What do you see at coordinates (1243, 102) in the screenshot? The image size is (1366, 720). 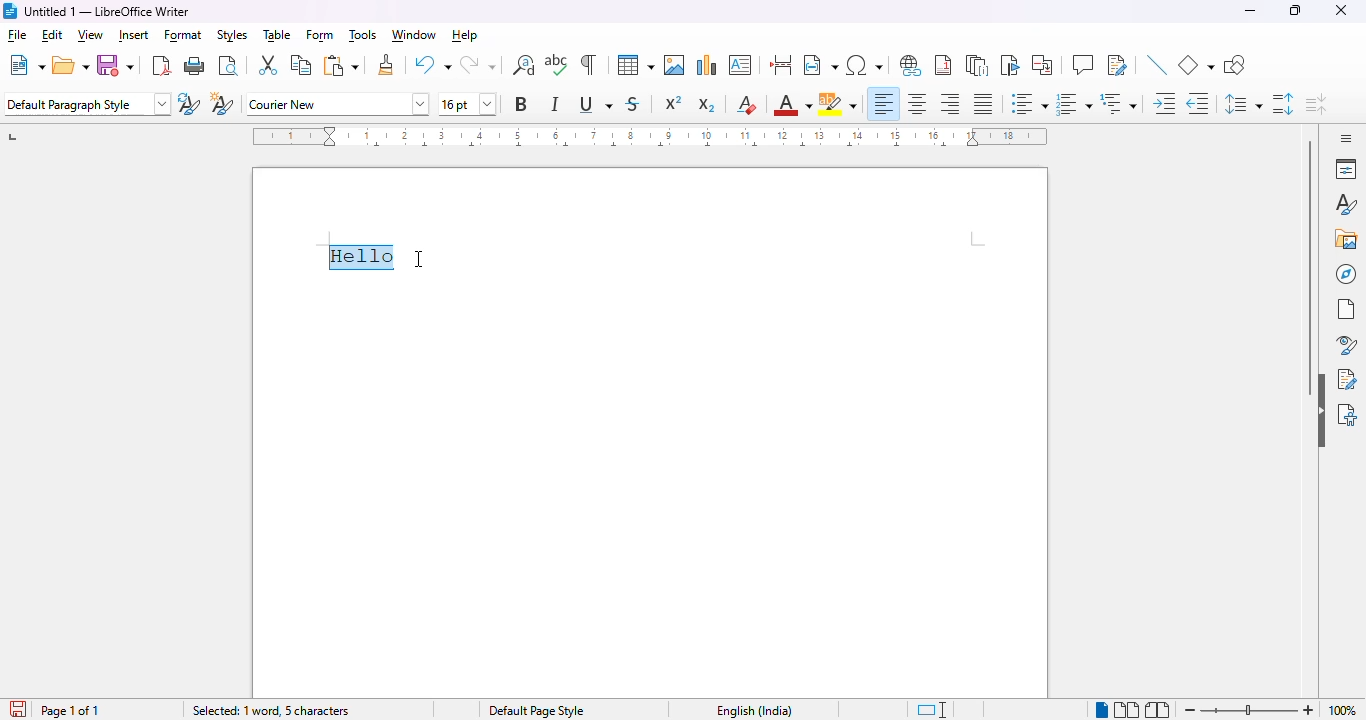 I see `set line spacing` at bounding box center [1243, 102].